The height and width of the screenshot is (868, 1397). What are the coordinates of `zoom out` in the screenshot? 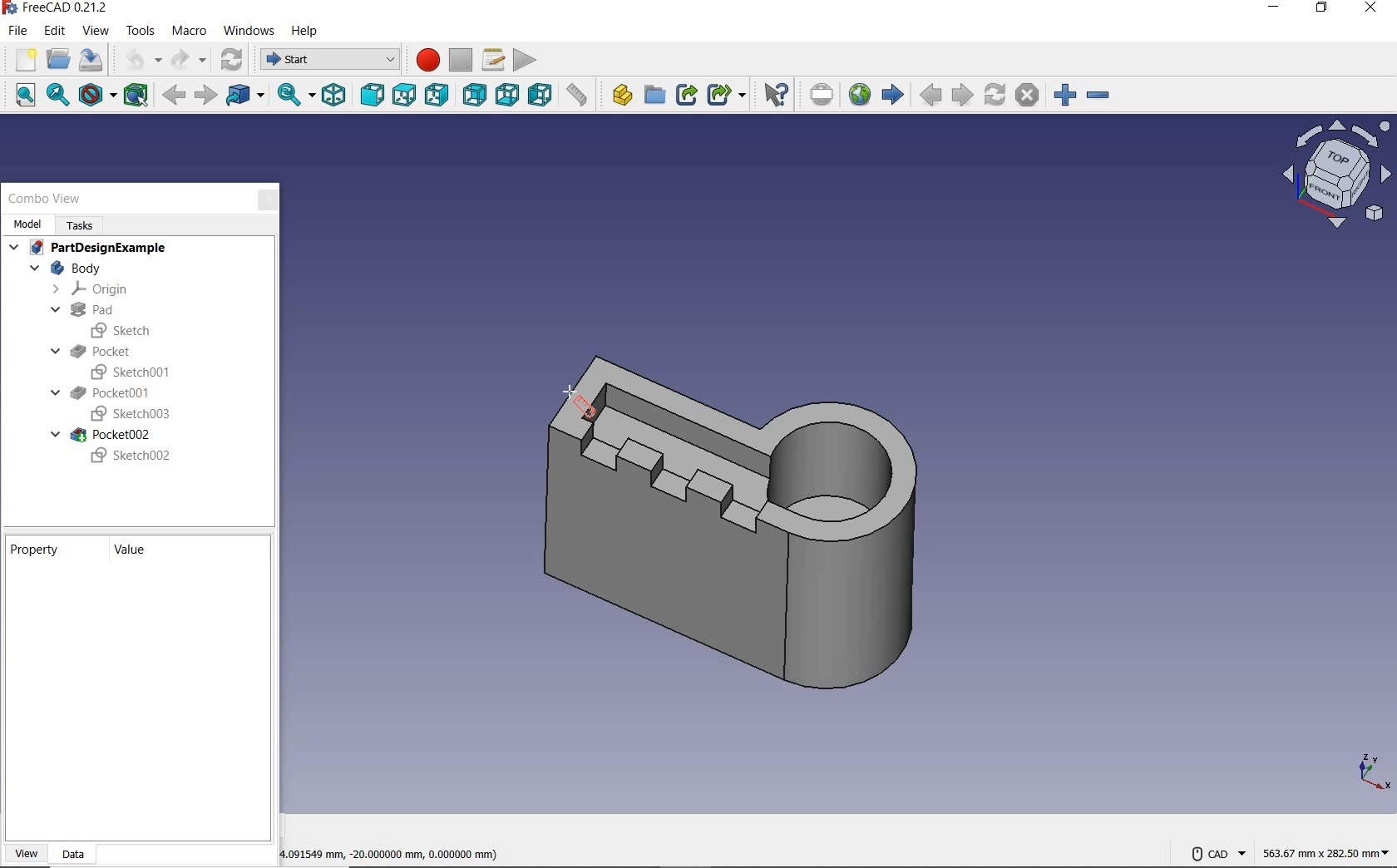 It's located at (1098, 96).